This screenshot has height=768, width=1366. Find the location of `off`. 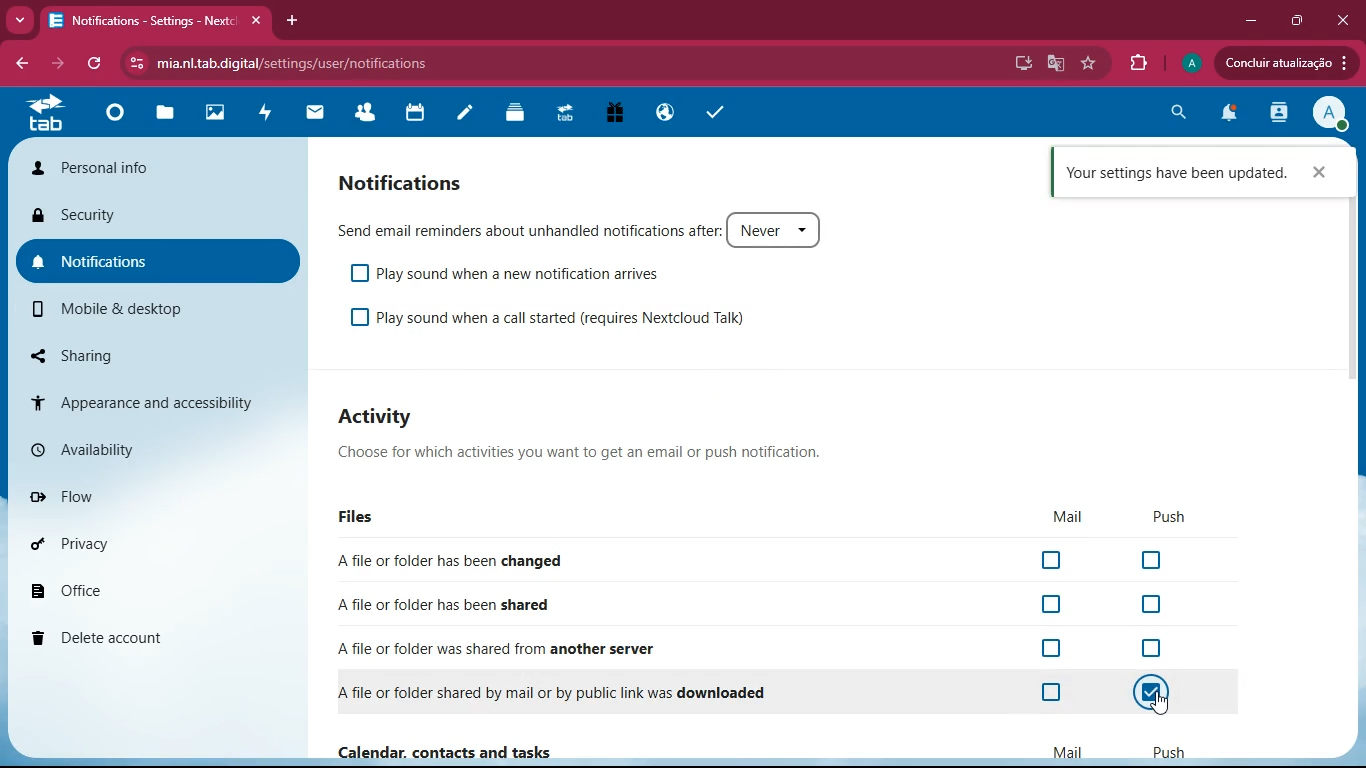

off is located at coordinates (1152, 603).